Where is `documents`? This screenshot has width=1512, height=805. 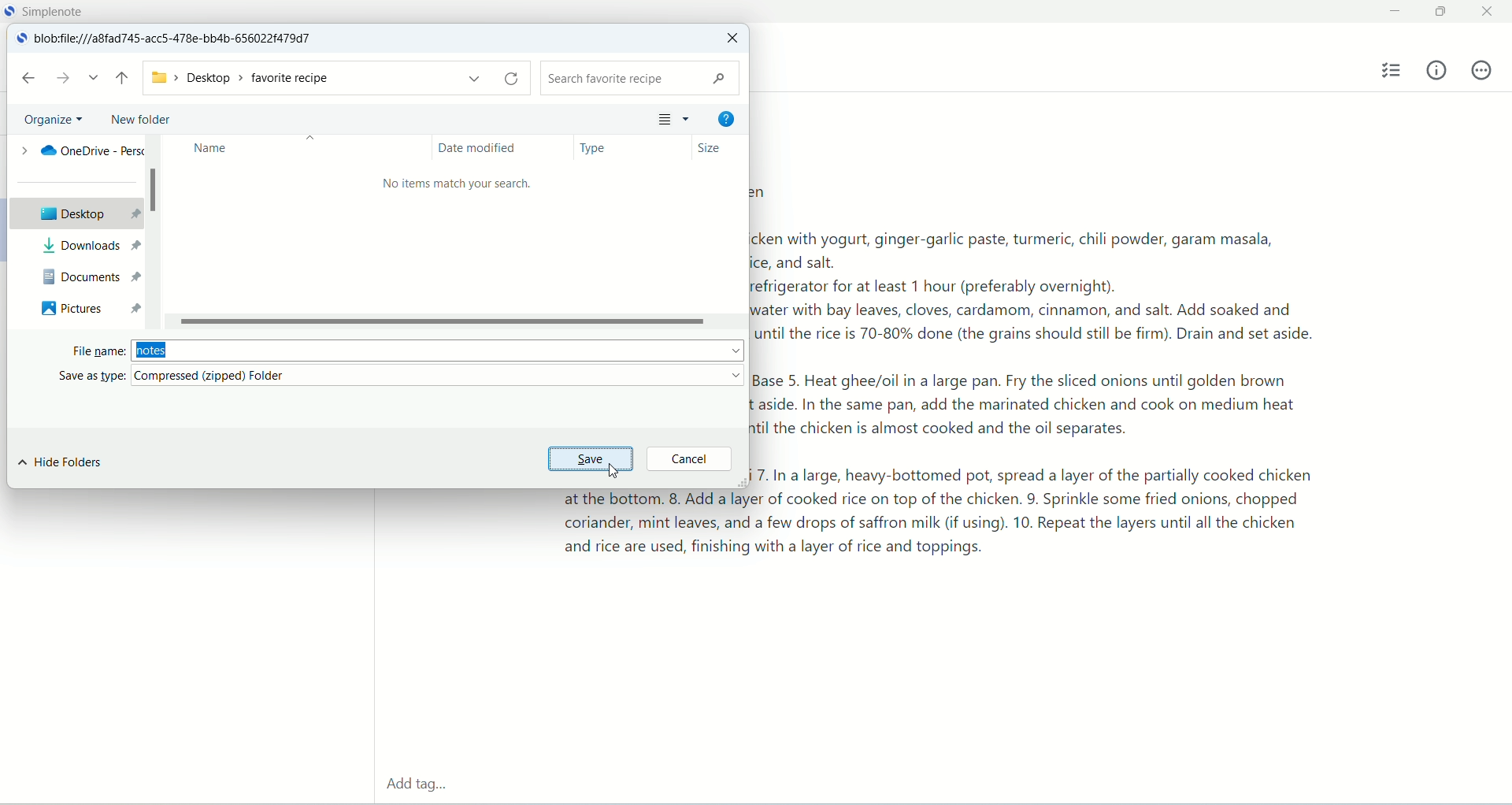
documents is located at coordinates (87, 273).